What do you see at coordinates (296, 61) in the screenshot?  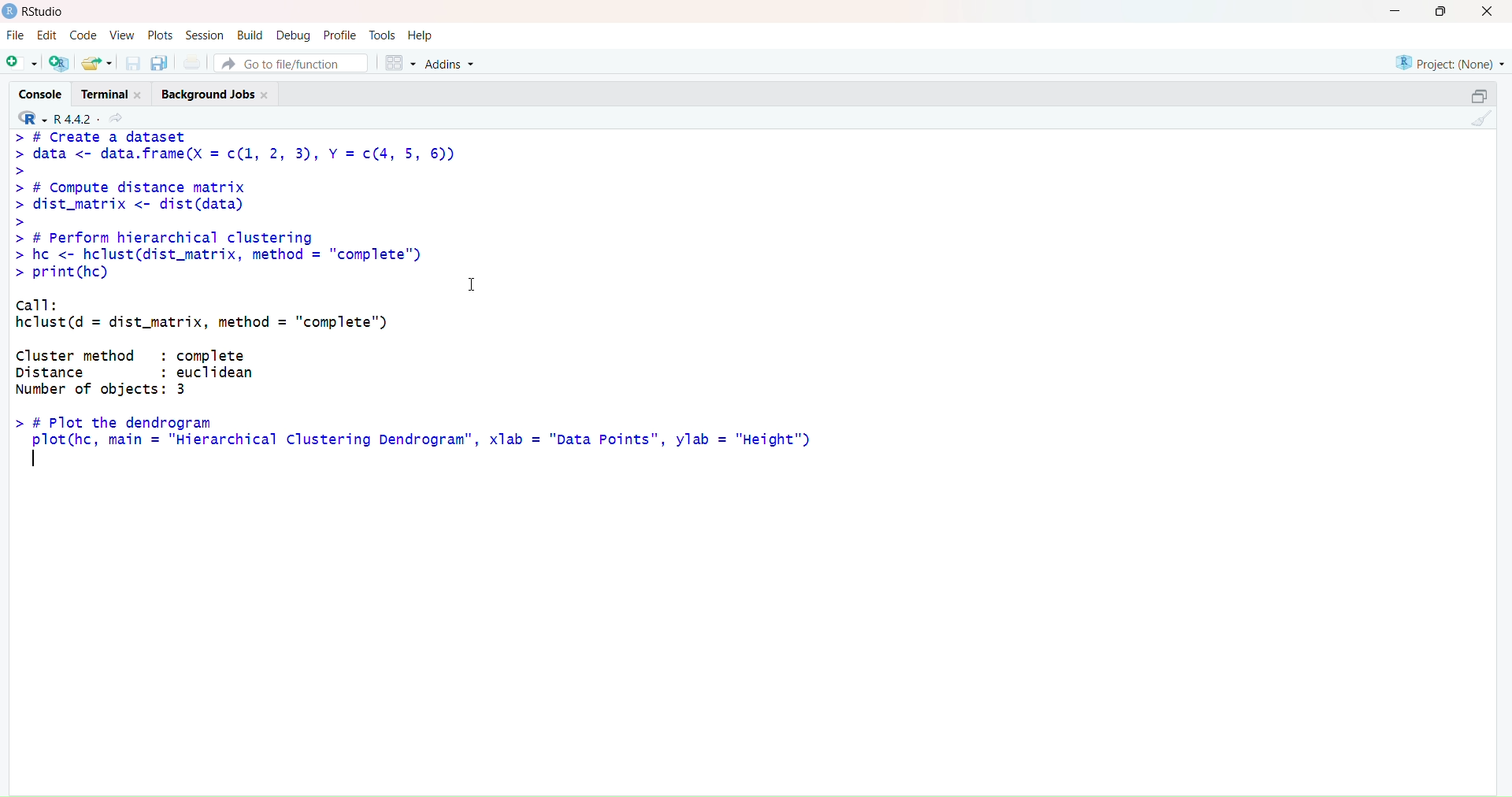 I see `Go to file/function` at bounding box center [296, 61].